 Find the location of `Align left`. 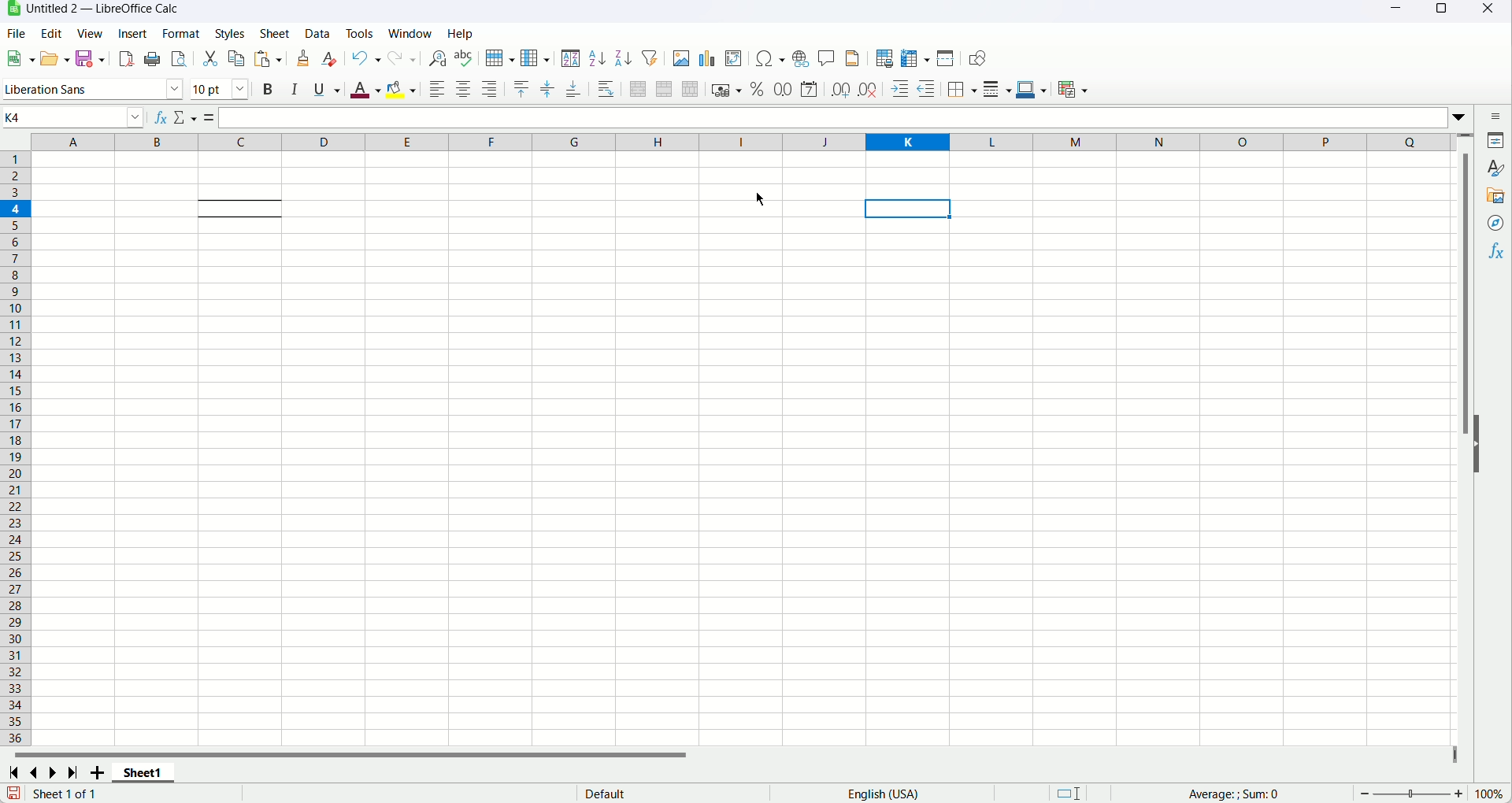

Align left is located at coordinates (437, 89).